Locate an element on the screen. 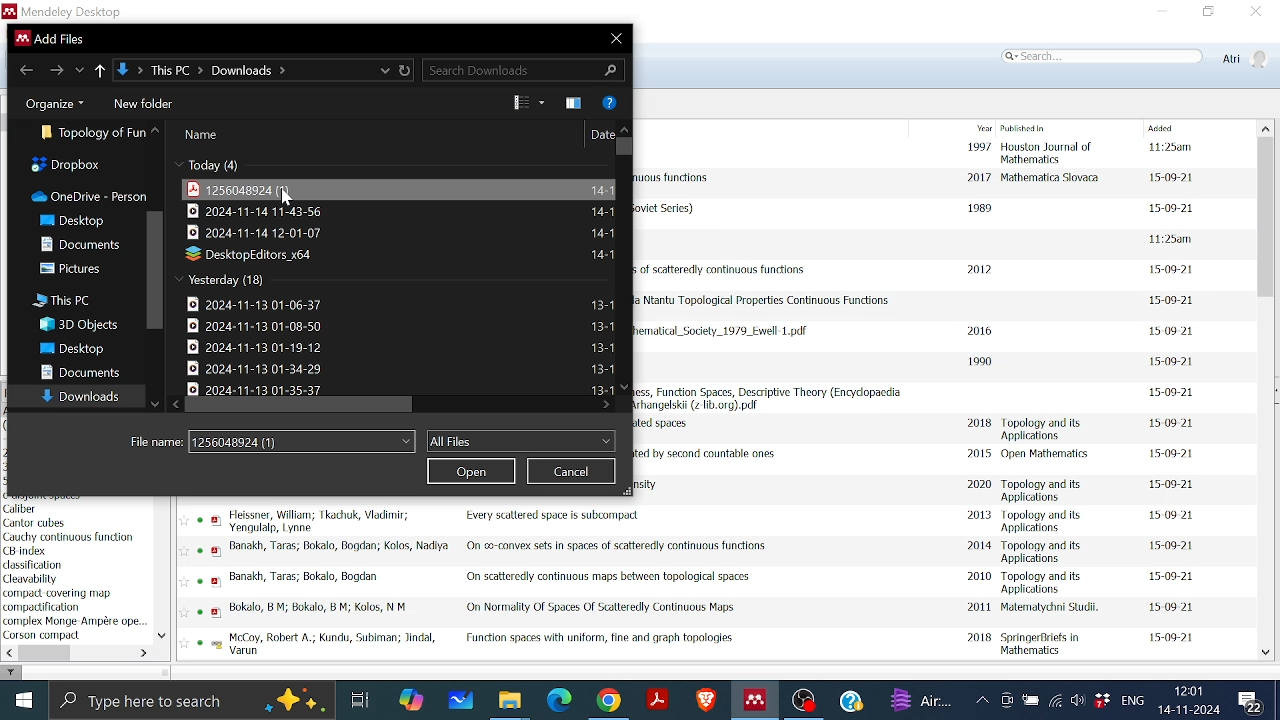 Image resolution: width=1280 pixels, height=720 pixels. Horizontal scrollbar is located at coordinates (46, 652).